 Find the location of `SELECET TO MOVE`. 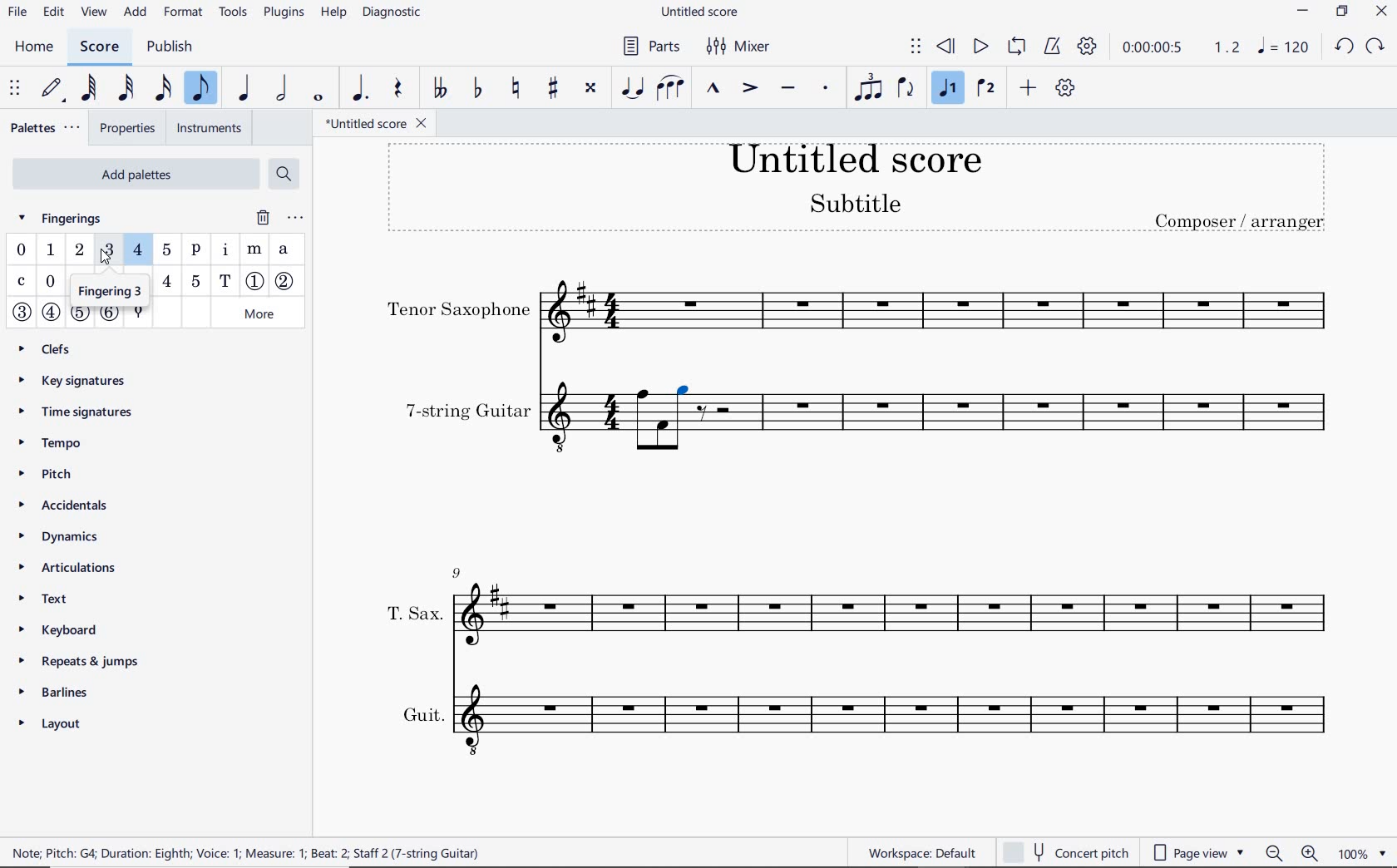

SELECET TO MOVE is located at coordinates (16, 89).